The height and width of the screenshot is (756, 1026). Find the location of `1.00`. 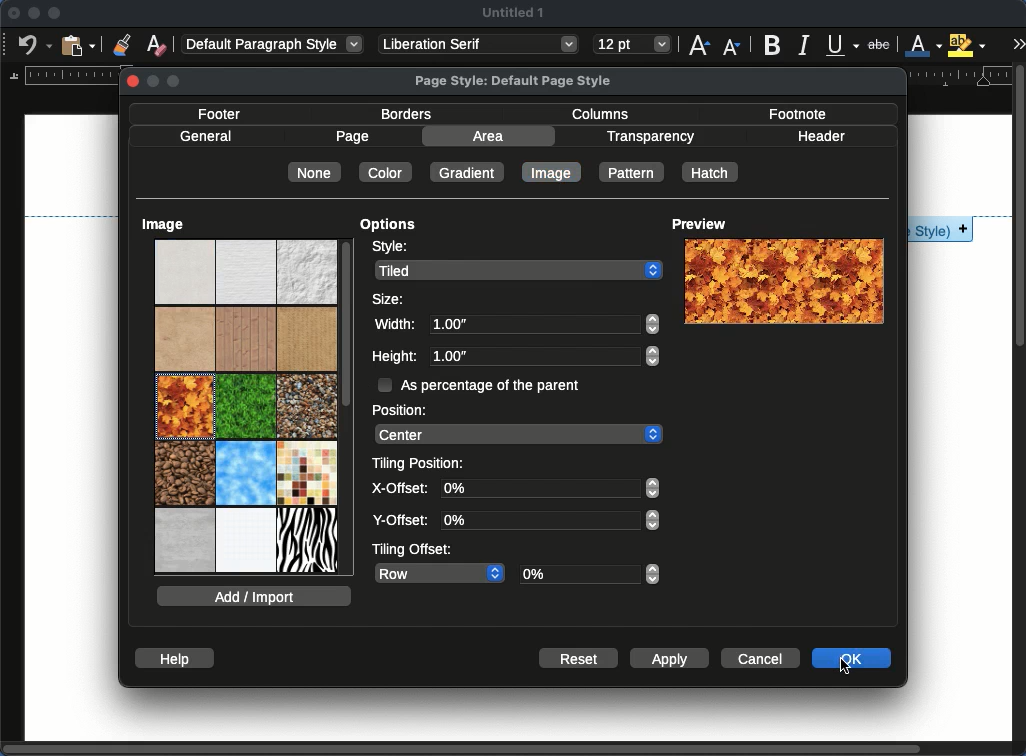

1.00 is located at coordinates (544, 322).